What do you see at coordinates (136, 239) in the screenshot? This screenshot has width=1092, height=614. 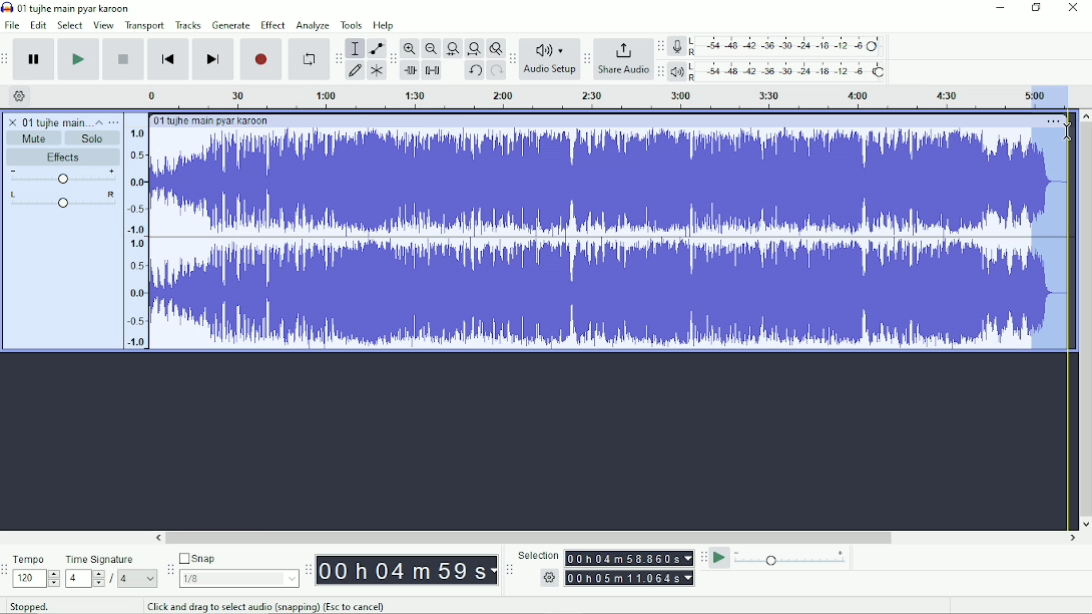 I see `amplitude scale` at bounding box center [136, 239].